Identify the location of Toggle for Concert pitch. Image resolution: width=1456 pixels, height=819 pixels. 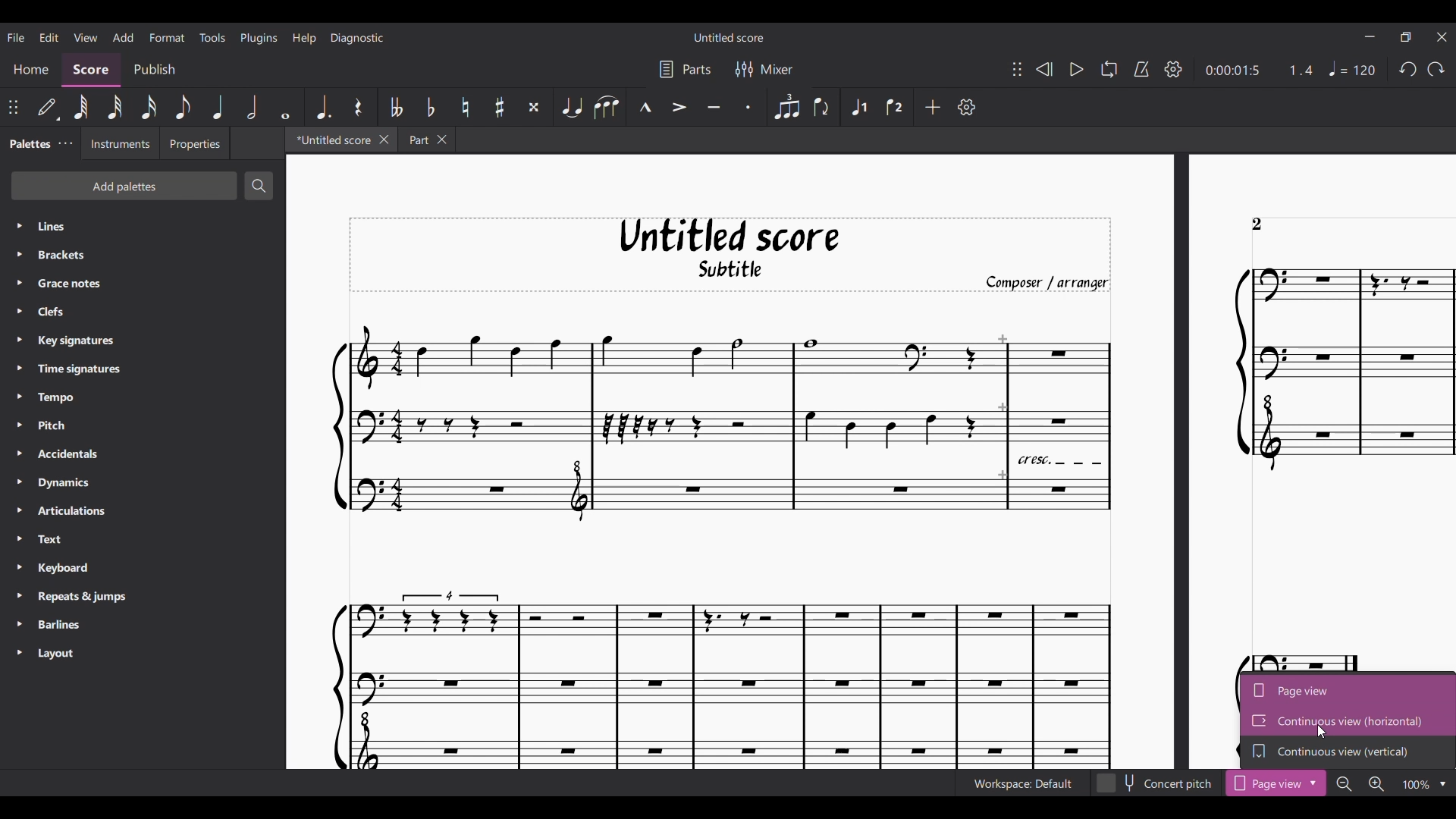
(1155, 783).